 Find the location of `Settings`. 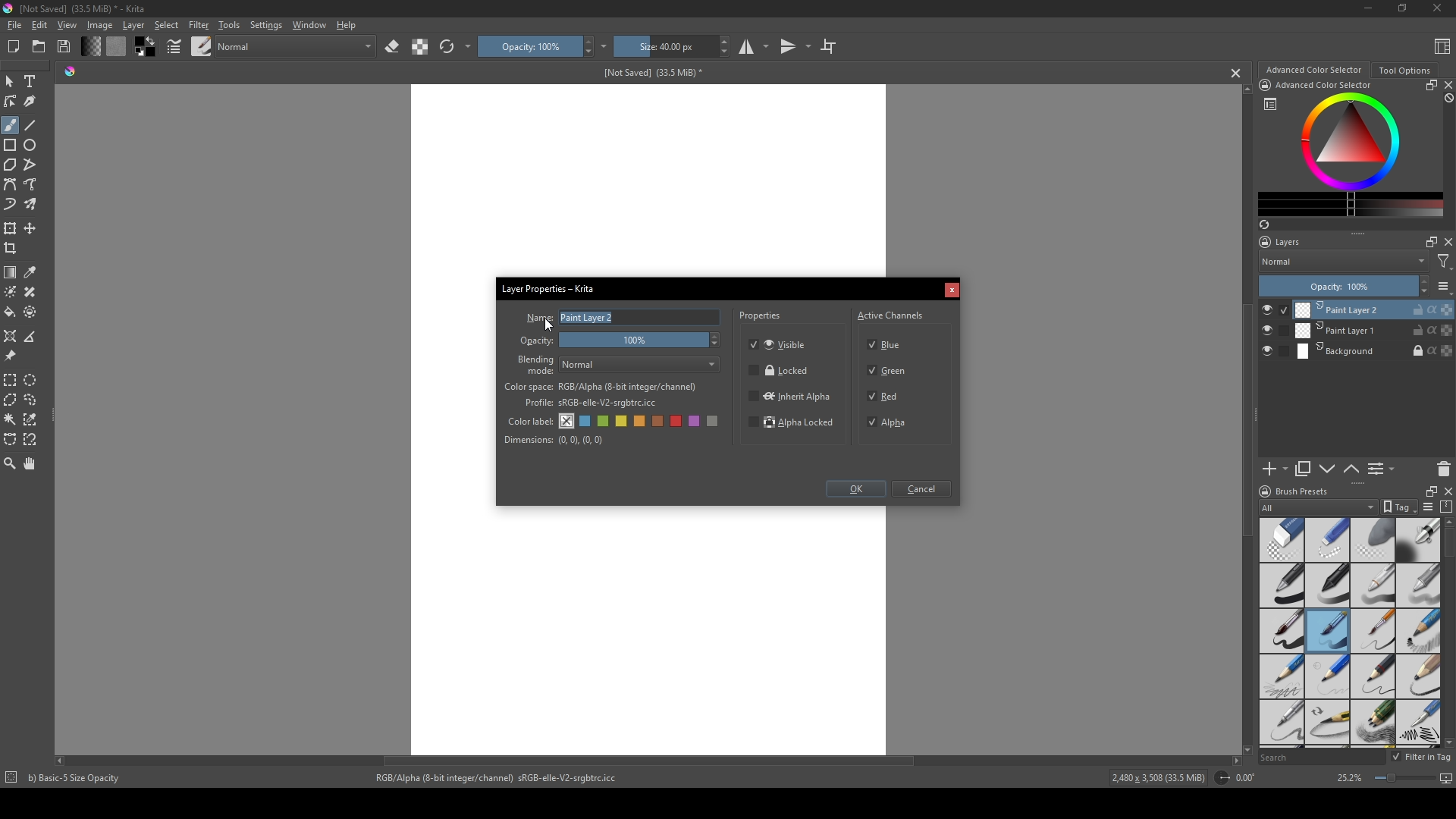

Settings is located at coordinates (265, 25).